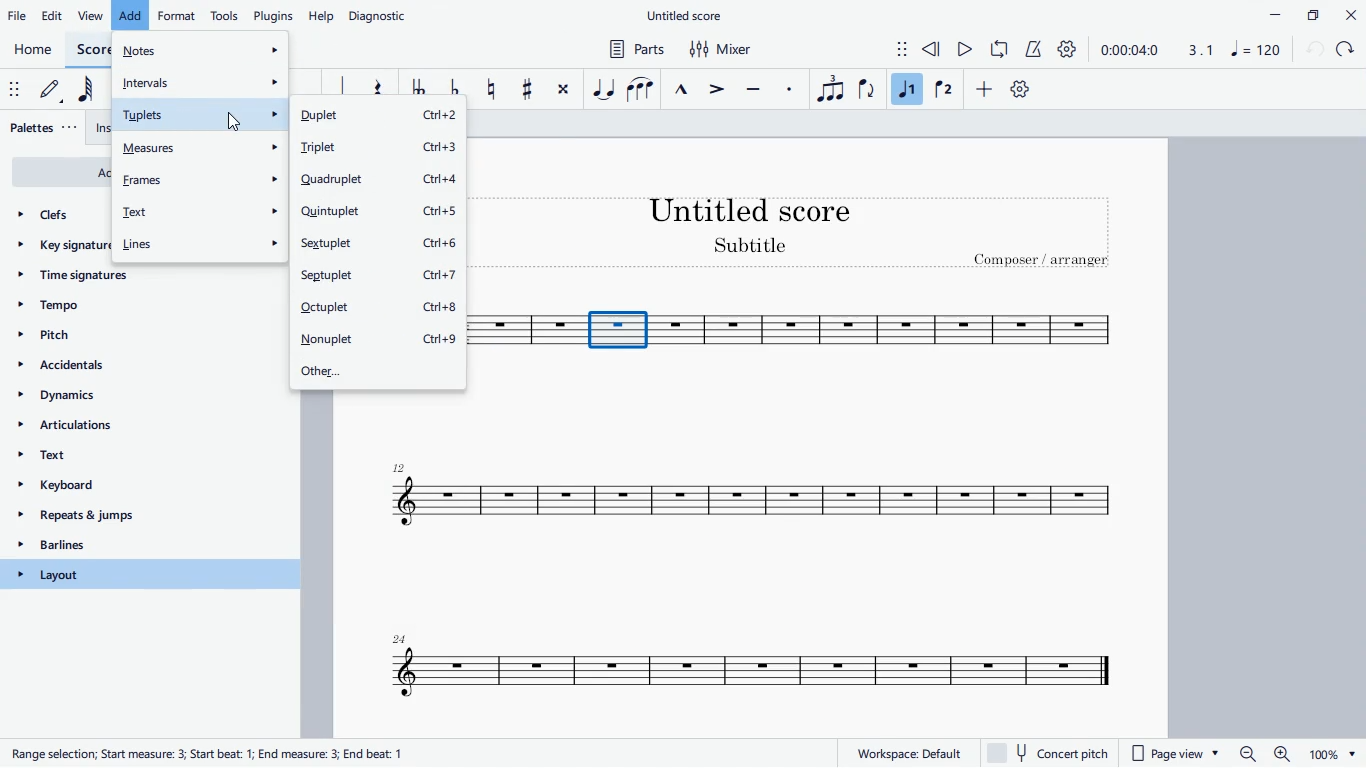 This screenshot has width=1366, height=768. I want to click on frames, so click(200, 179).